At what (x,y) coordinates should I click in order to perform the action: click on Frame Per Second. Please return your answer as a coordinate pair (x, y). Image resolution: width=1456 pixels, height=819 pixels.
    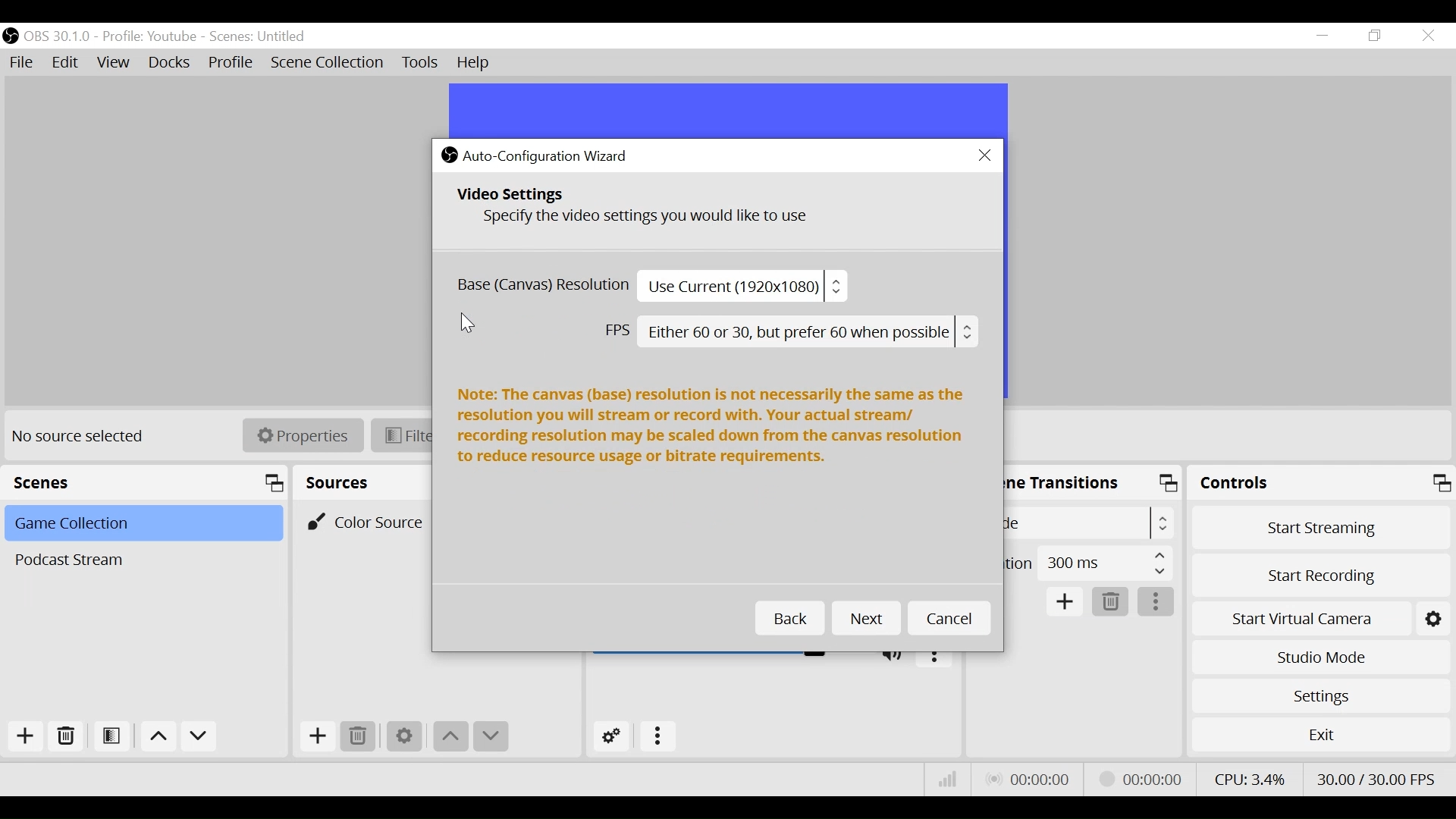
    Looking at the image, I should click on (1377, 779).